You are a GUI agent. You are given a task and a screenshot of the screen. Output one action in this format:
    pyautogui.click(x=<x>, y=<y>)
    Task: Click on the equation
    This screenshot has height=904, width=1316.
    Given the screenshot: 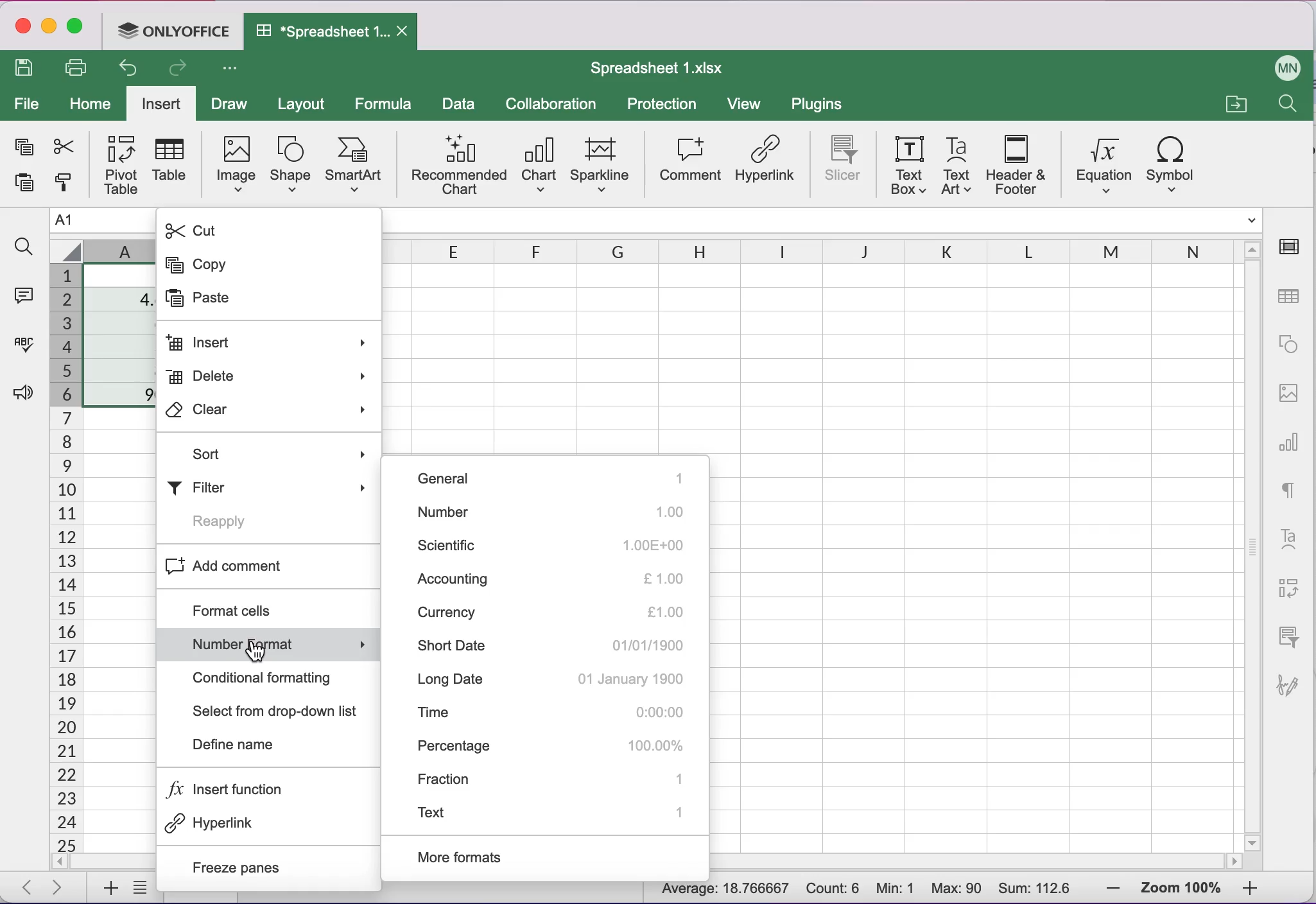 What is the action you would take?
    pyautogui.click(x=1100, y=166)
    